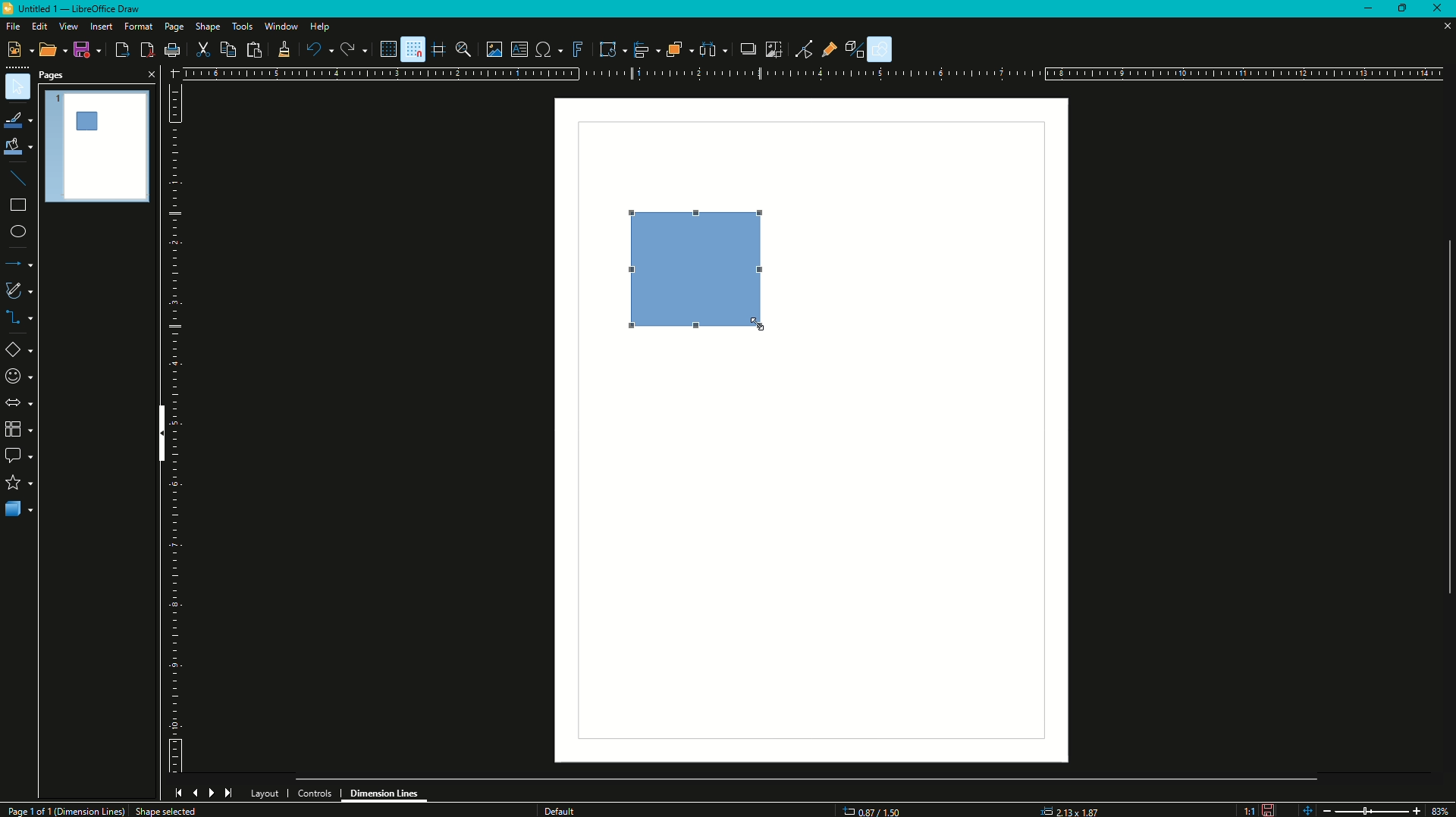 This screenshot has width=1456, height=817. What do you see at coordinates (19, 178) in the screenshot?
I see `Lines` at bounding box center [19, 178].